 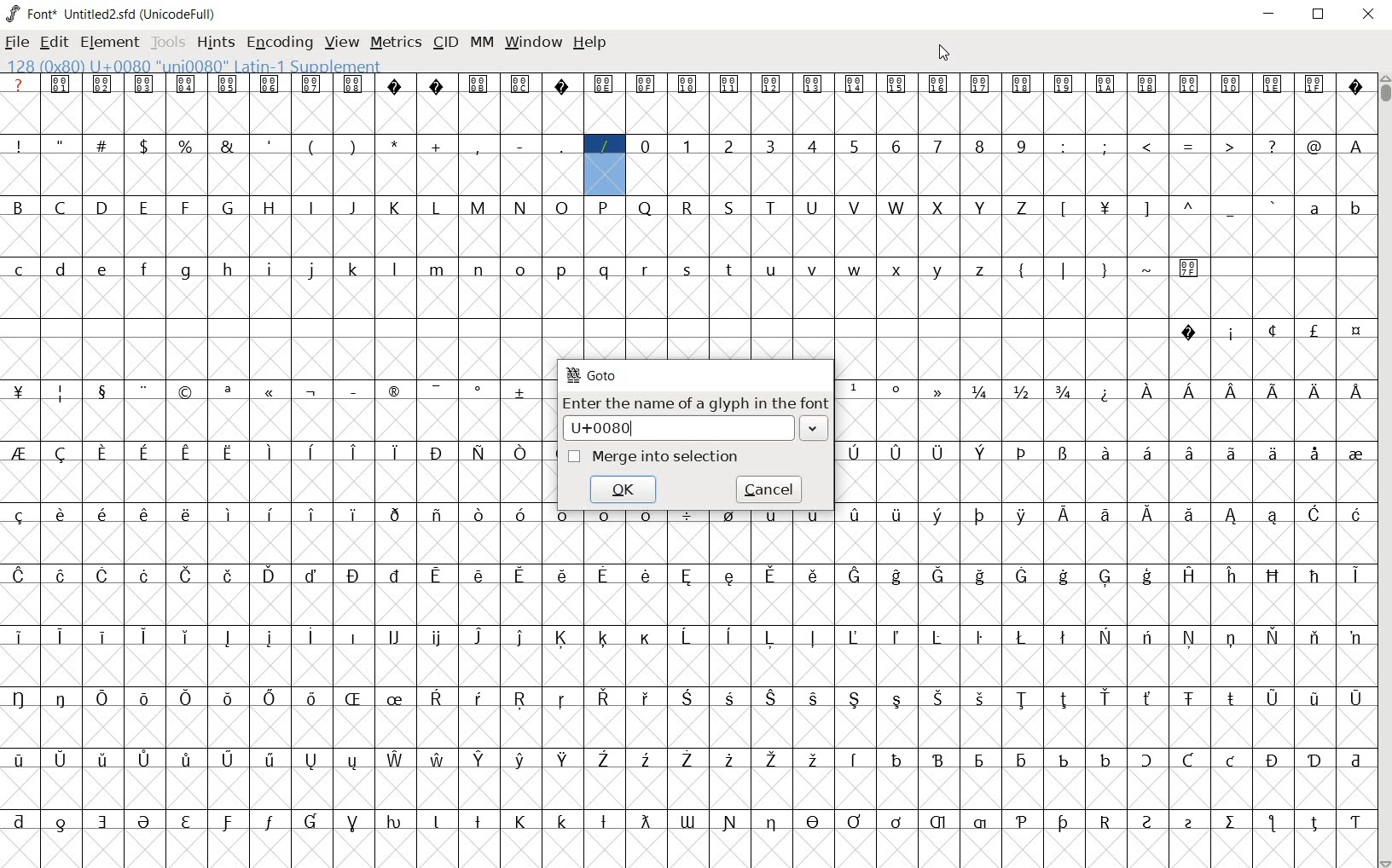 I want to click on glyph, so click(x=393, y=269).